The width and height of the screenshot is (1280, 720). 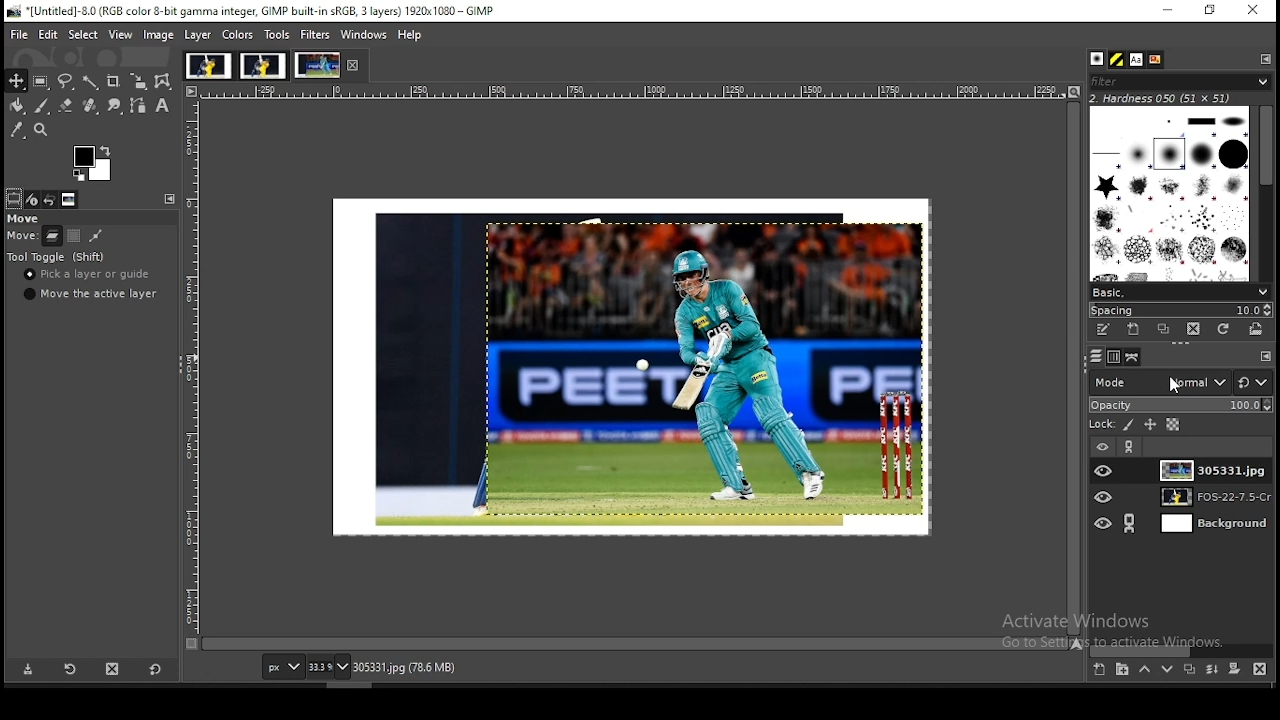 What do you see at coordinates (1104, 468) in the screenshot?
I see `layer visibility on/off` at bounding box center [1104, 468].